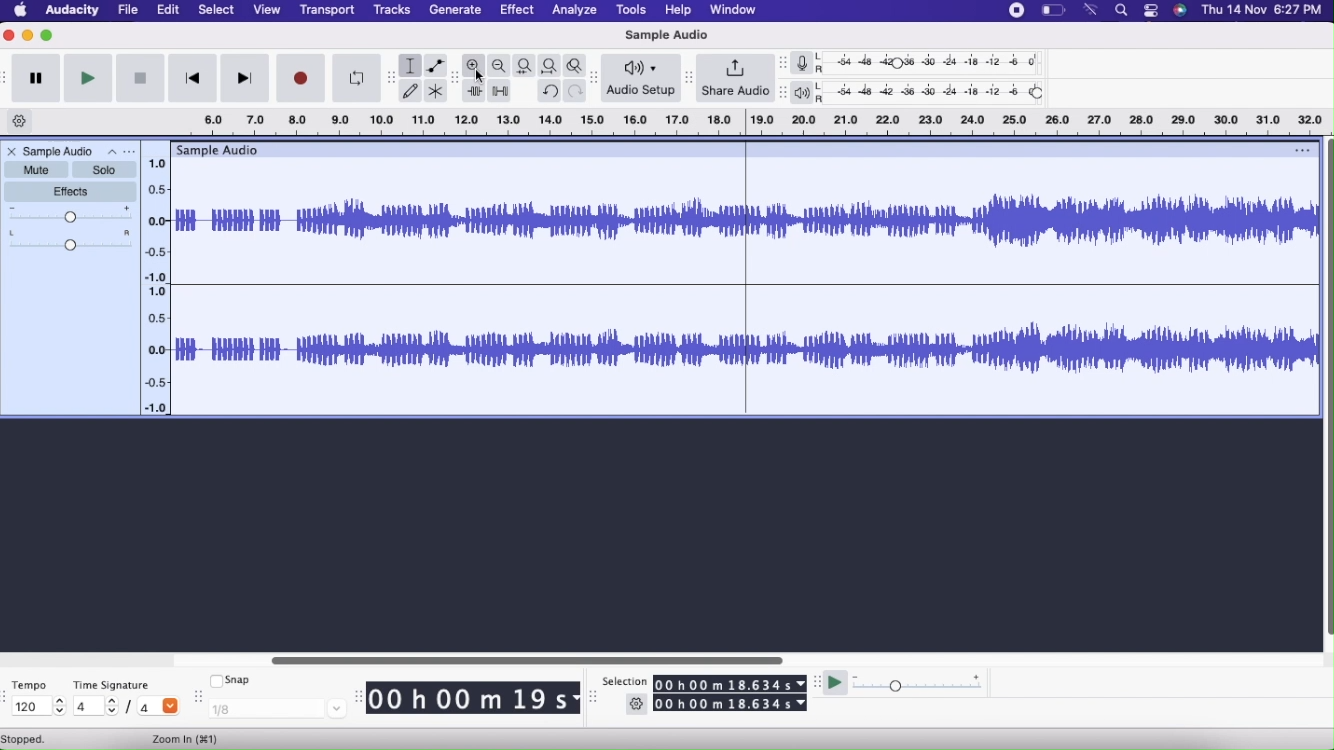  Describe the element at coordinates (474, 699) in the screenshot. I see `00 h 00 m 19 s` at that location.